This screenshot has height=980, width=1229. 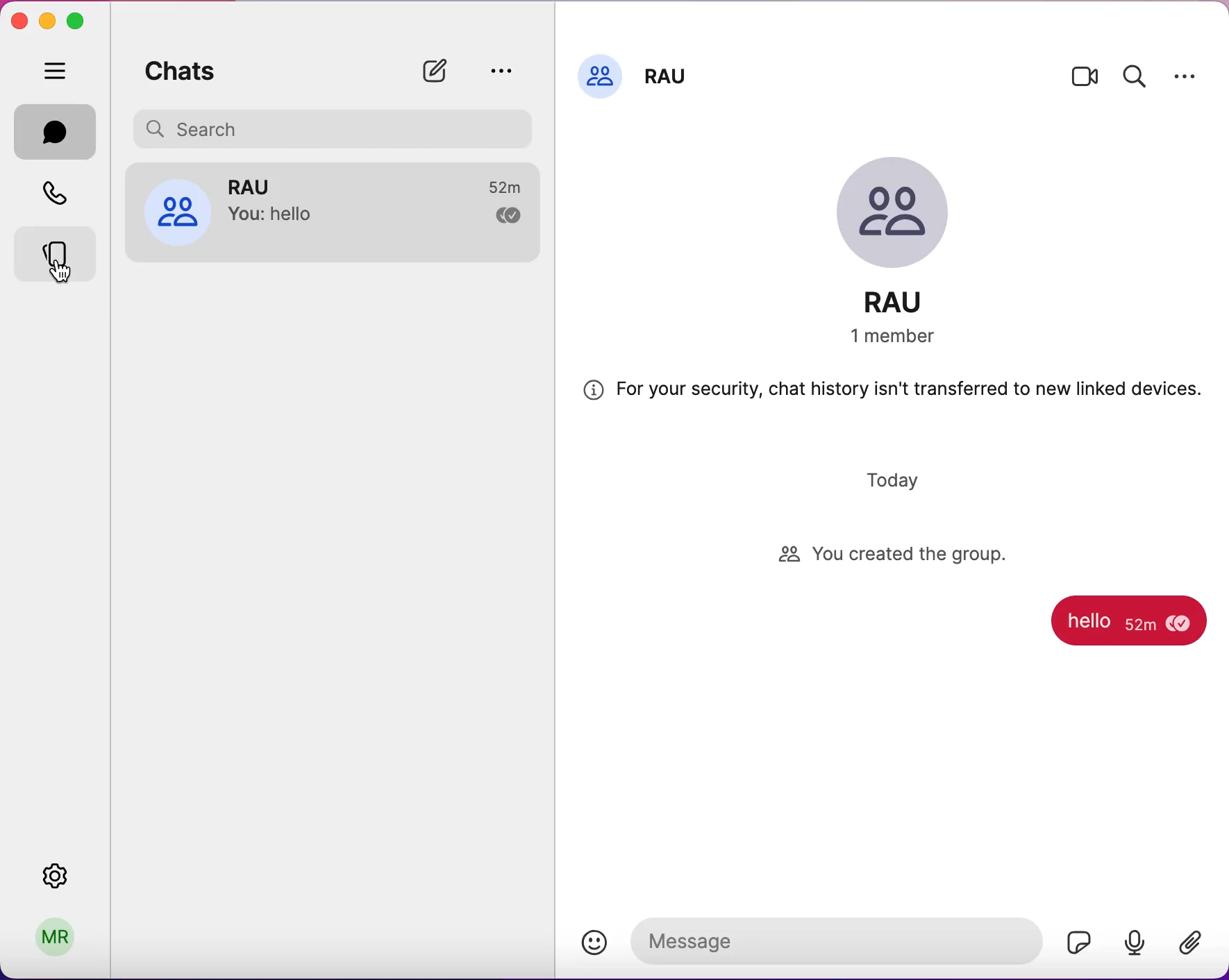 What do you see at coordinates (80, 20) in the screenshot?
I see `maximize` at bounding box center [80, 20].